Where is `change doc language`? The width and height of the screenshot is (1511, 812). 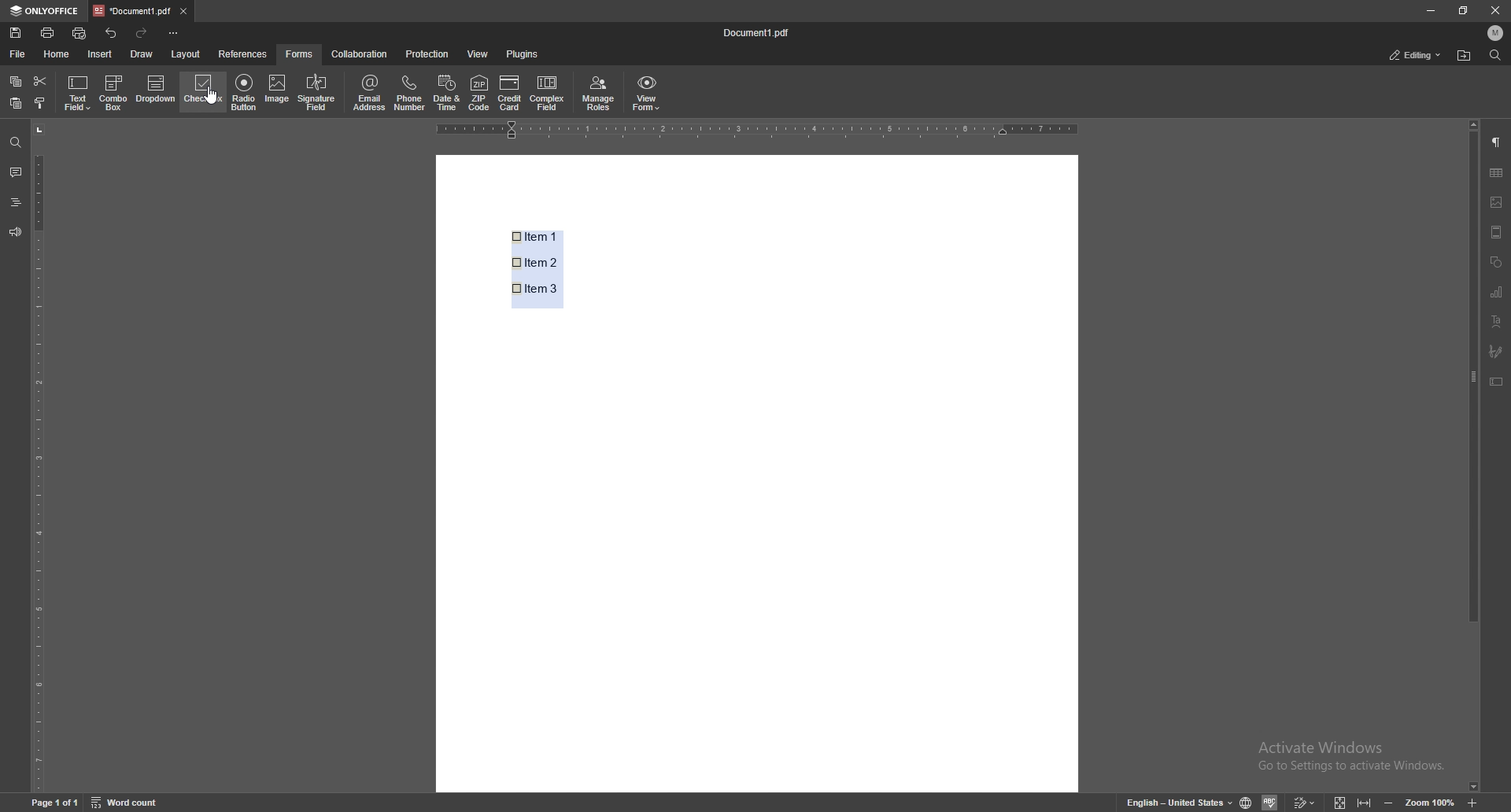 change doc language is located at coordinates (1247, 800).